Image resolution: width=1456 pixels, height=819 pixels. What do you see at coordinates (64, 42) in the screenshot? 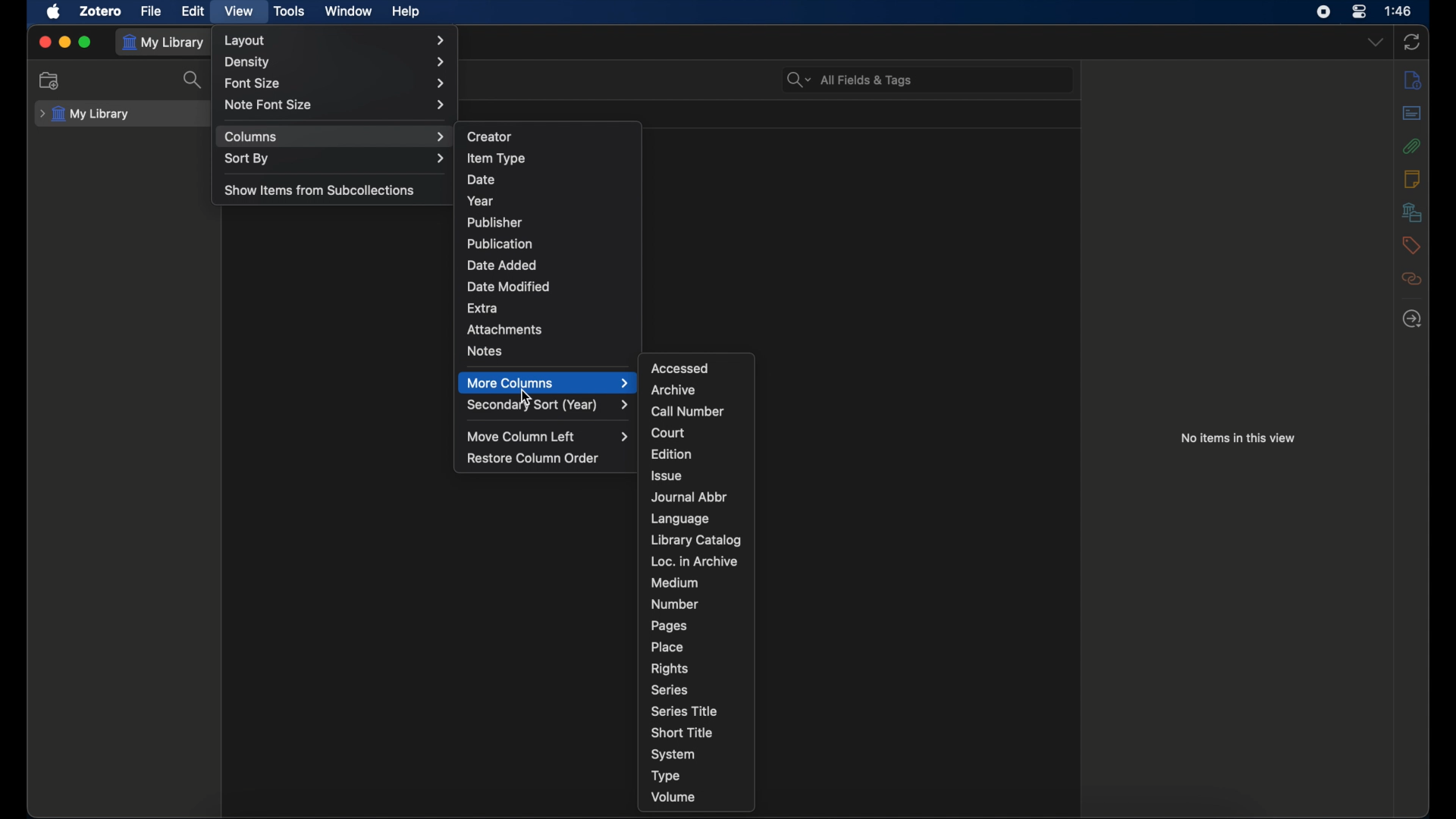
I see `minimize` at bounding box center [64, 42].